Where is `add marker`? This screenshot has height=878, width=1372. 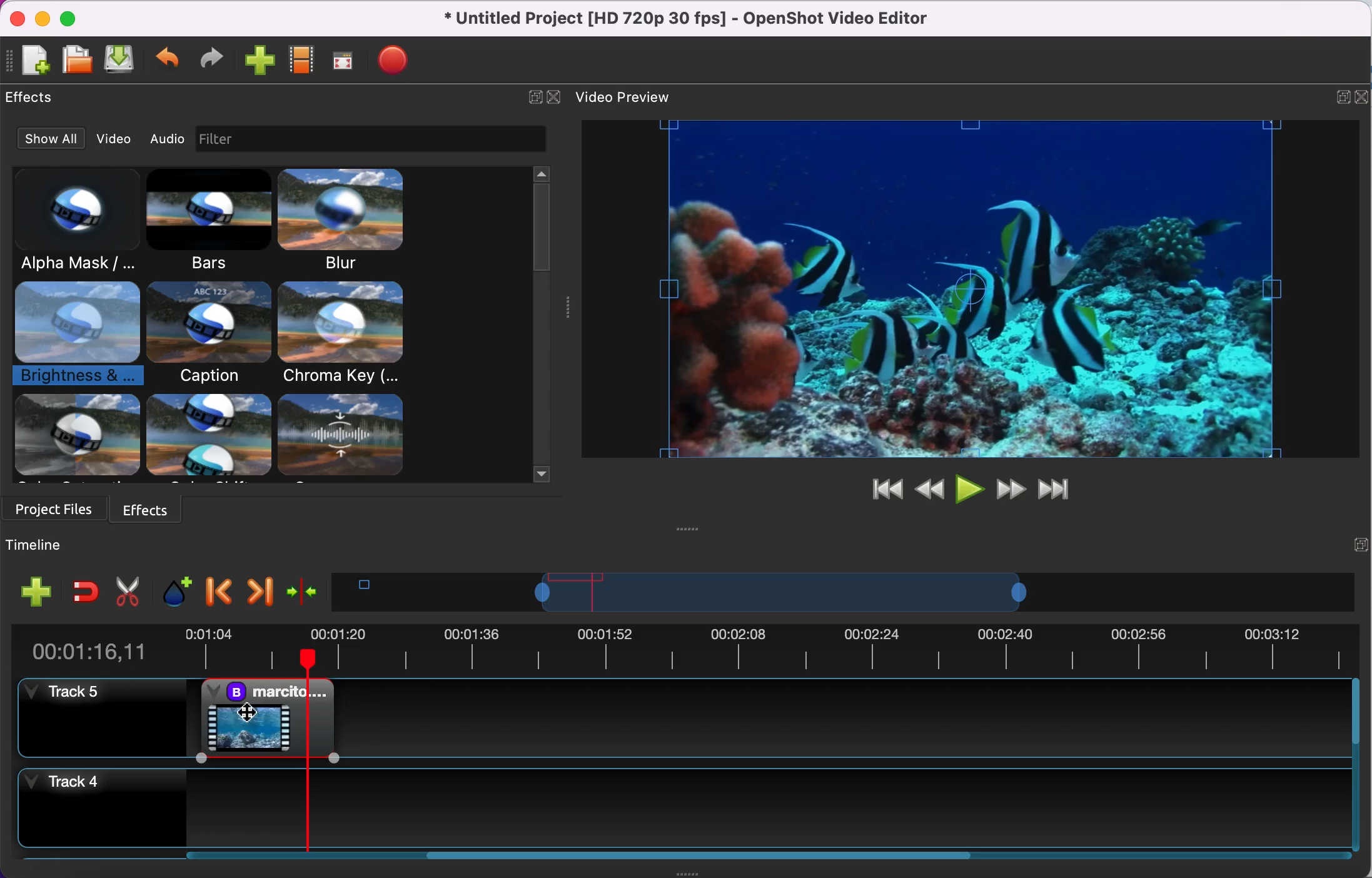
add marker is located at coordinates (171, 590).